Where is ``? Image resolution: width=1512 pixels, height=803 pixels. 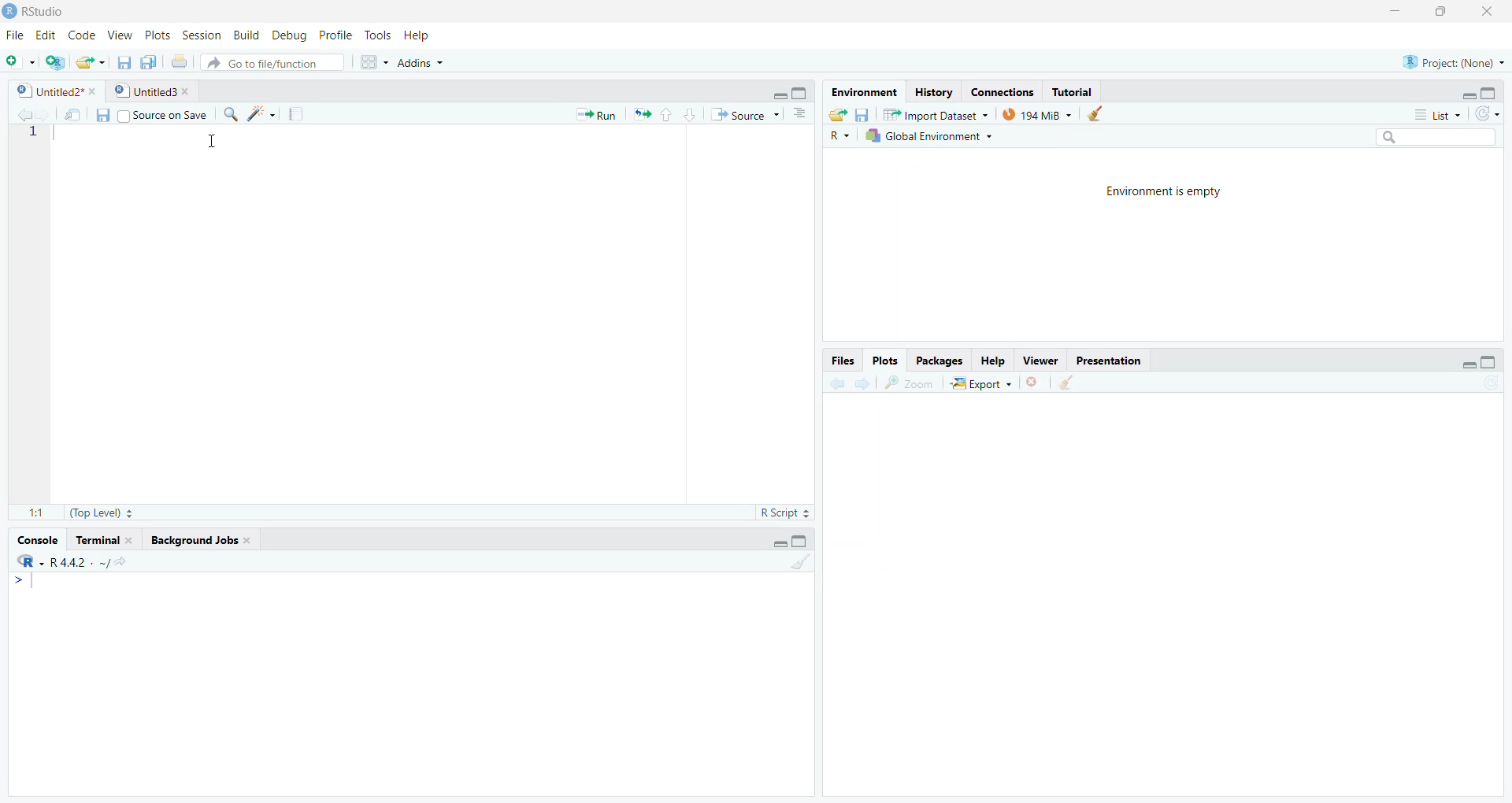
 is located at coordinates (839, 136).